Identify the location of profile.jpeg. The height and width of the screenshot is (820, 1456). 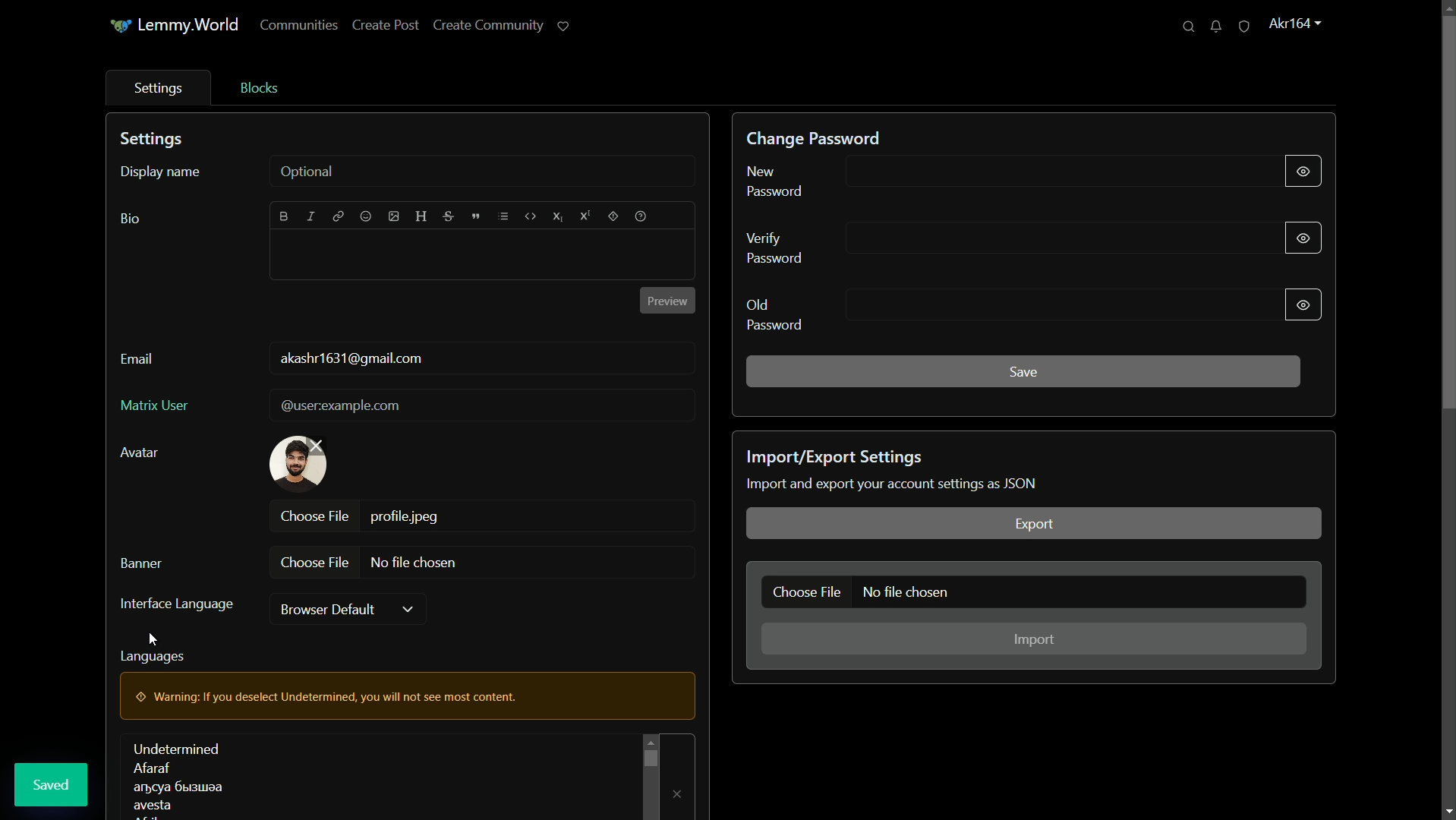
(408, 516).